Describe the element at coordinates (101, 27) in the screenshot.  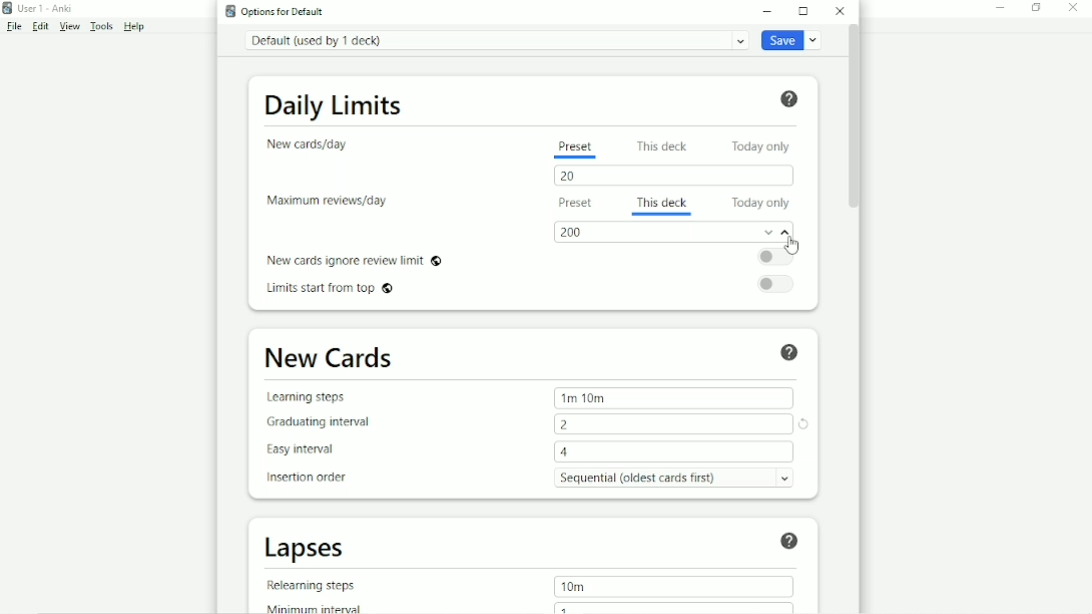
I see `Tools` at that location.